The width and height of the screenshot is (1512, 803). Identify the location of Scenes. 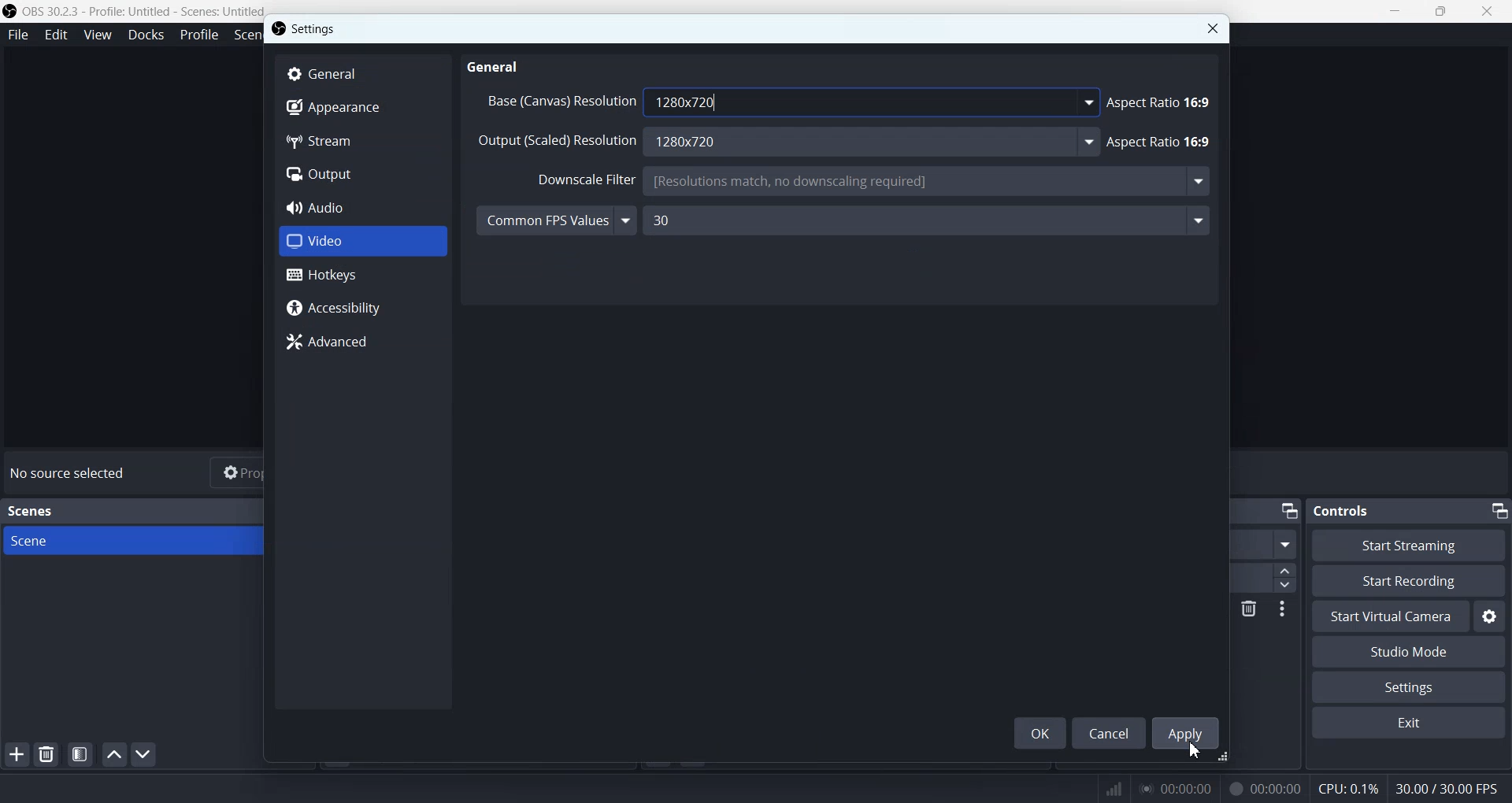
(31, 512).